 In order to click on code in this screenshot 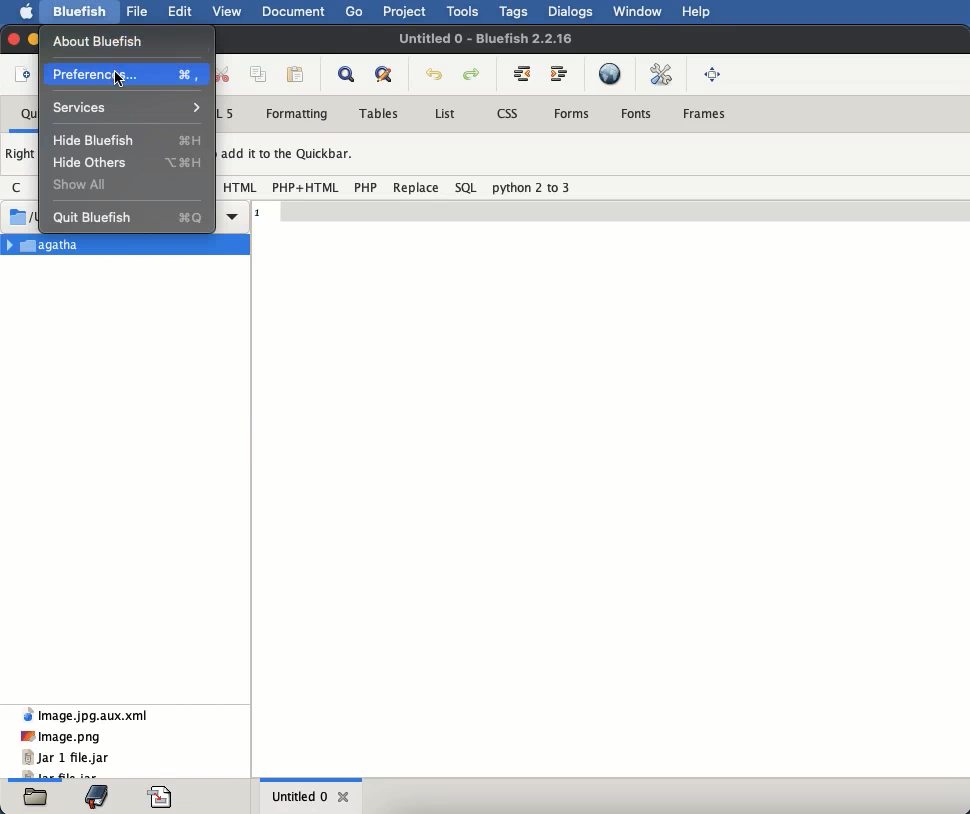, I will do `click(162, 797)`.